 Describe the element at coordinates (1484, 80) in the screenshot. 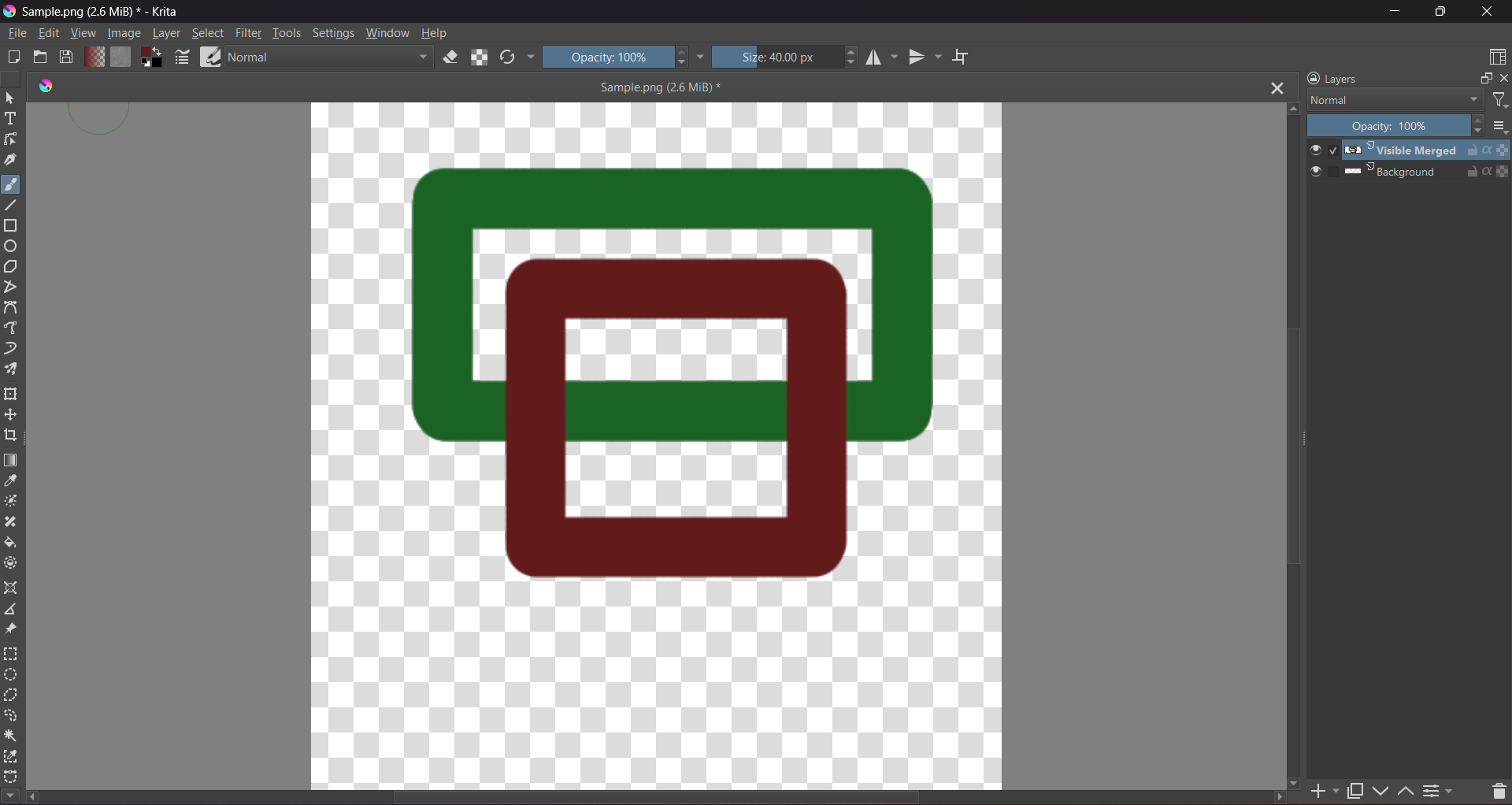

I see `Float Docker` at that location.